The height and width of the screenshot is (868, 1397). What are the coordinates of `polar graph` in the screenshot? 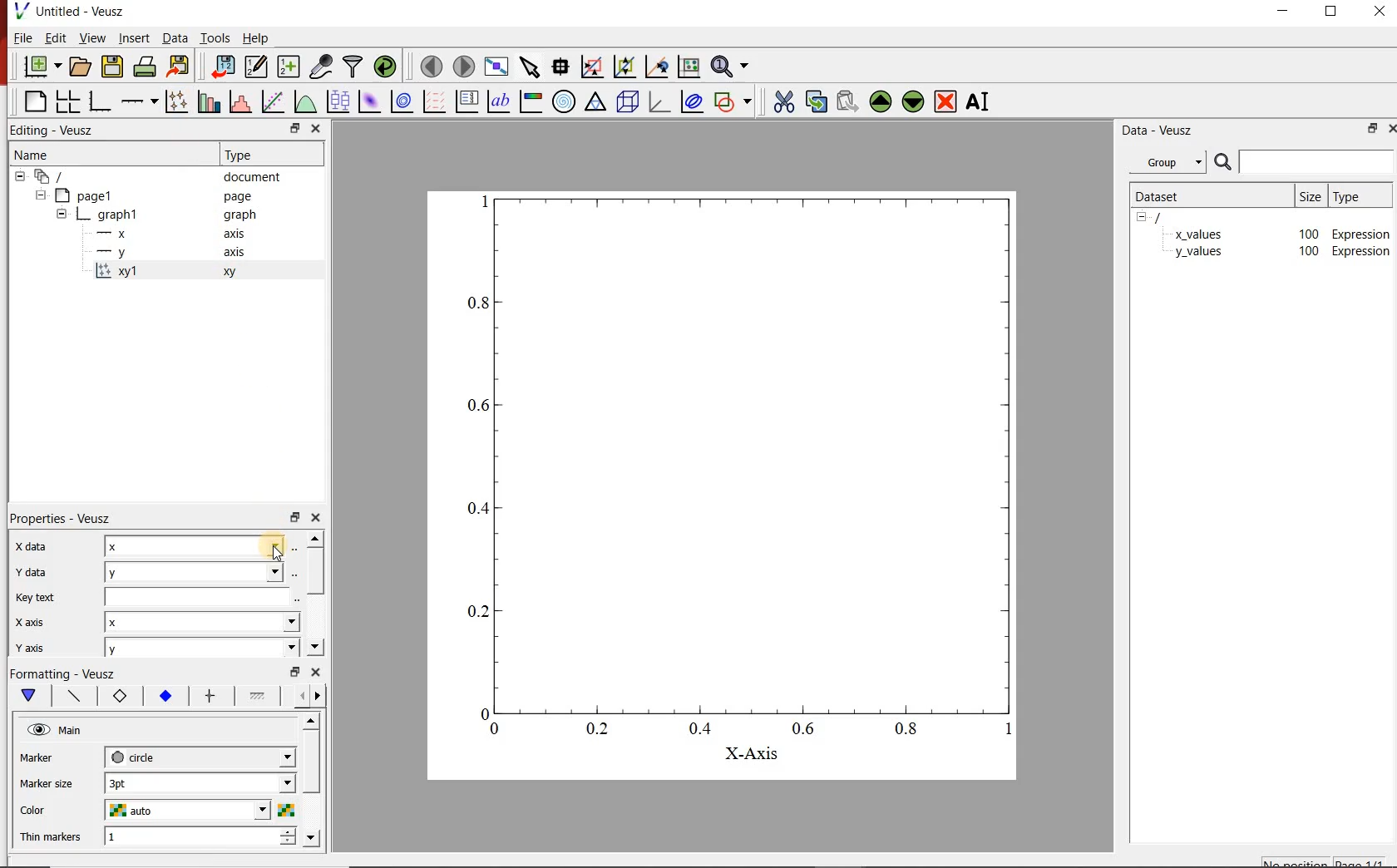 It's located at (565, 103).